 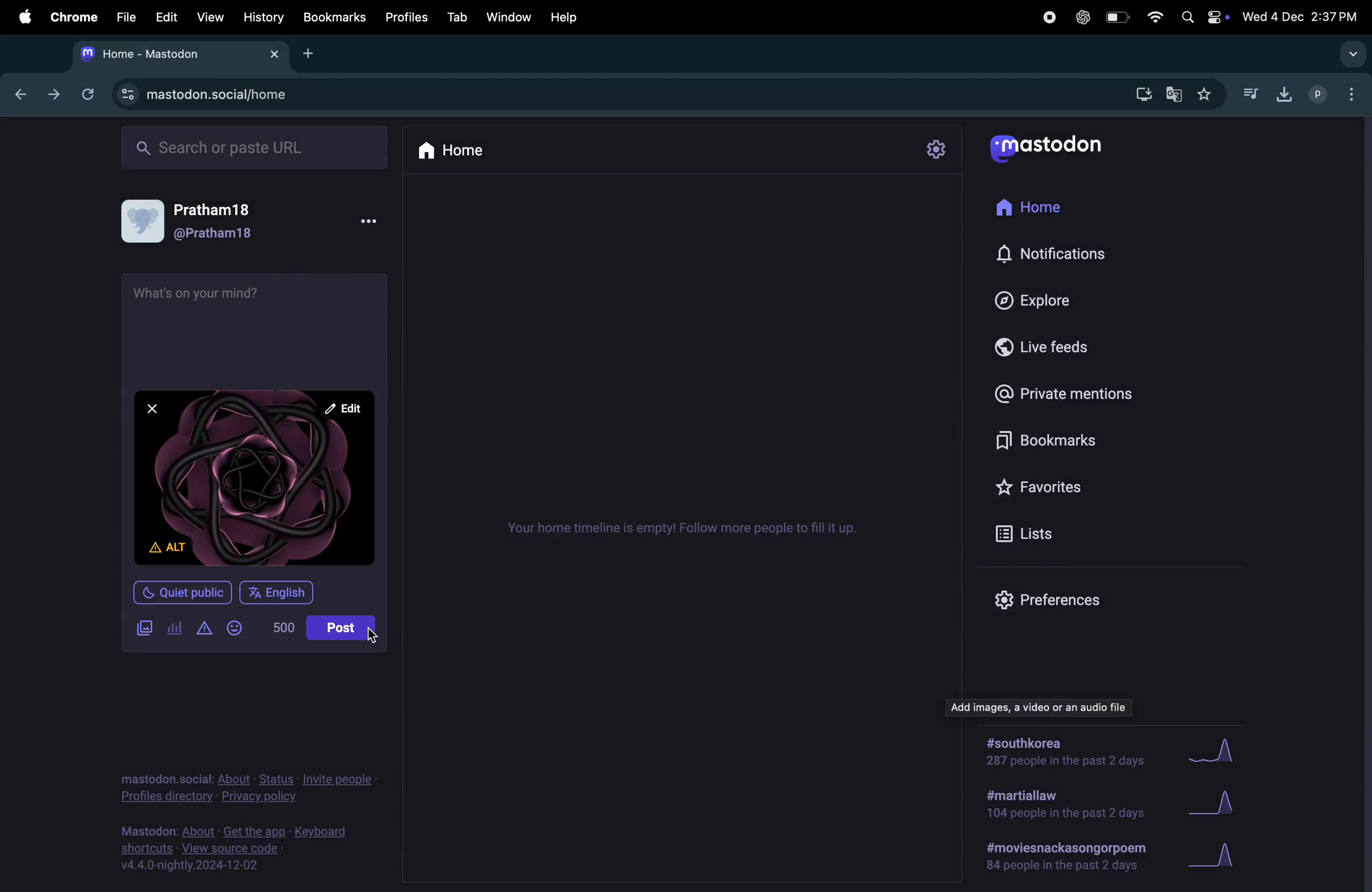 What do you see at coordinates (54, 93) in the screenshot?
I see `forward` at bounding box center [54, 93].